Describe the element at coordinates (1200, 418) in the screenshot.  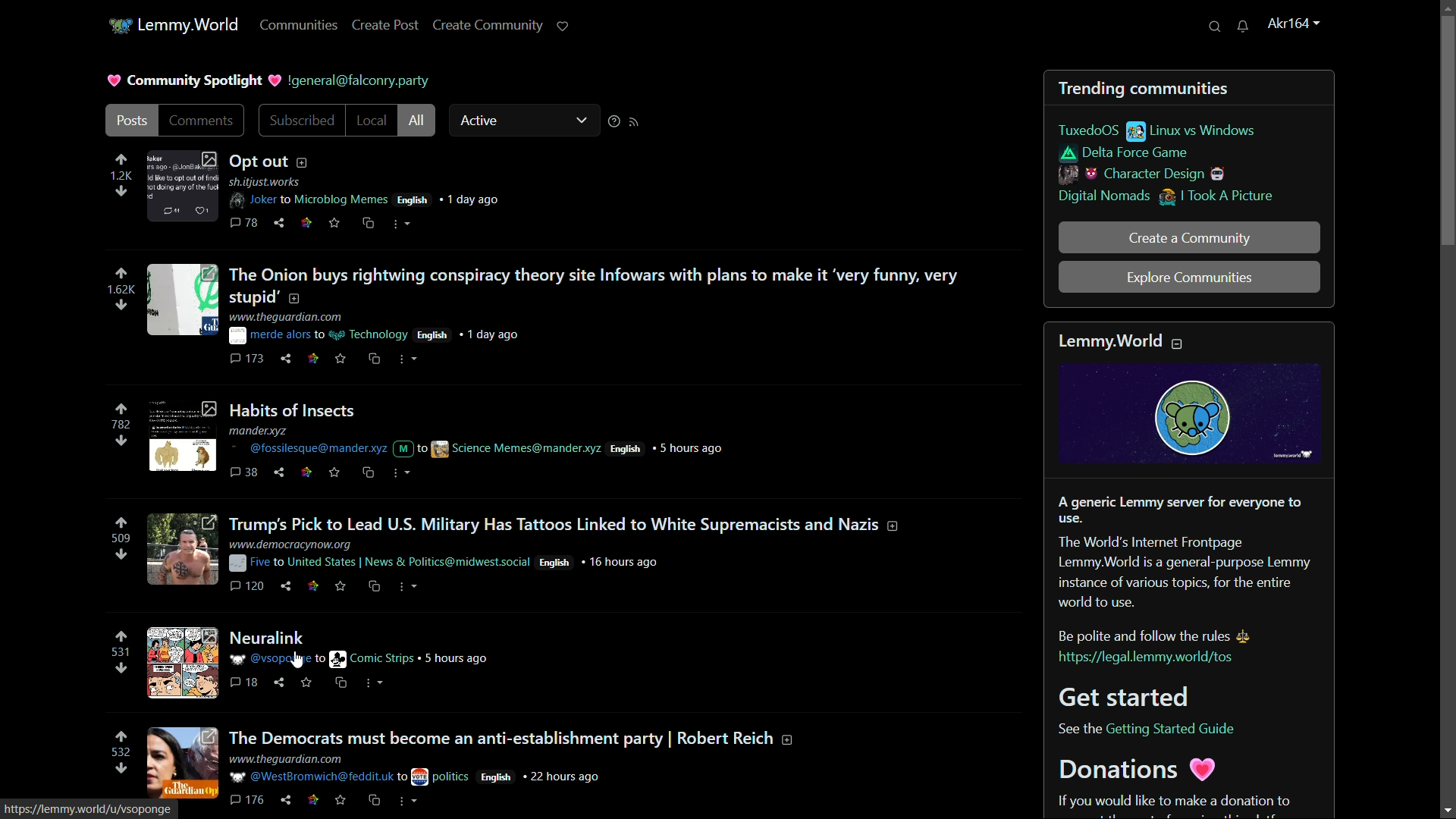
I see `image` at that location.